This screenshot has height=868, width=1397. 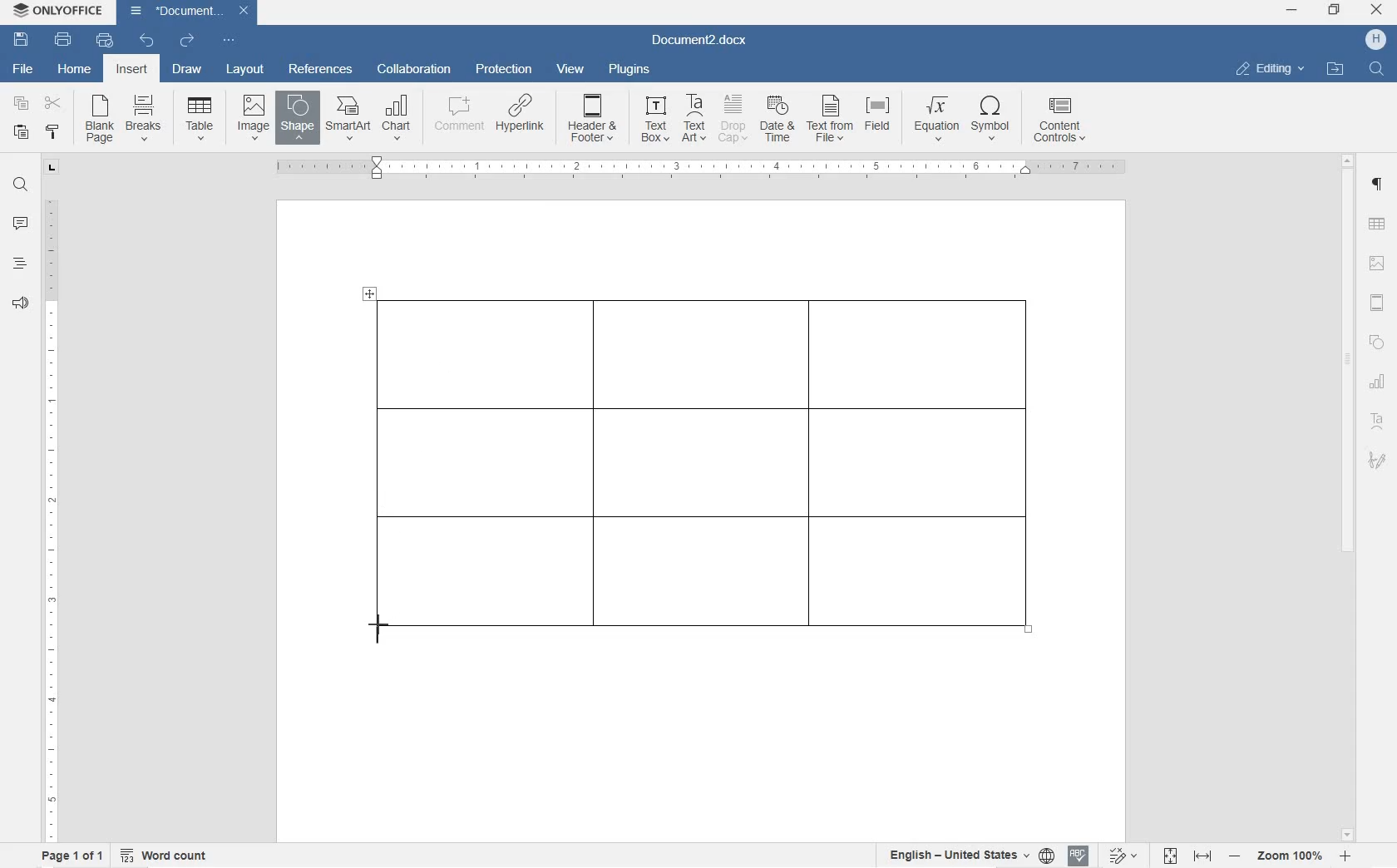 What do you see at coordinates (97, 121) in the screenshot?
I see `blank page` at bounding box center [97, 121].